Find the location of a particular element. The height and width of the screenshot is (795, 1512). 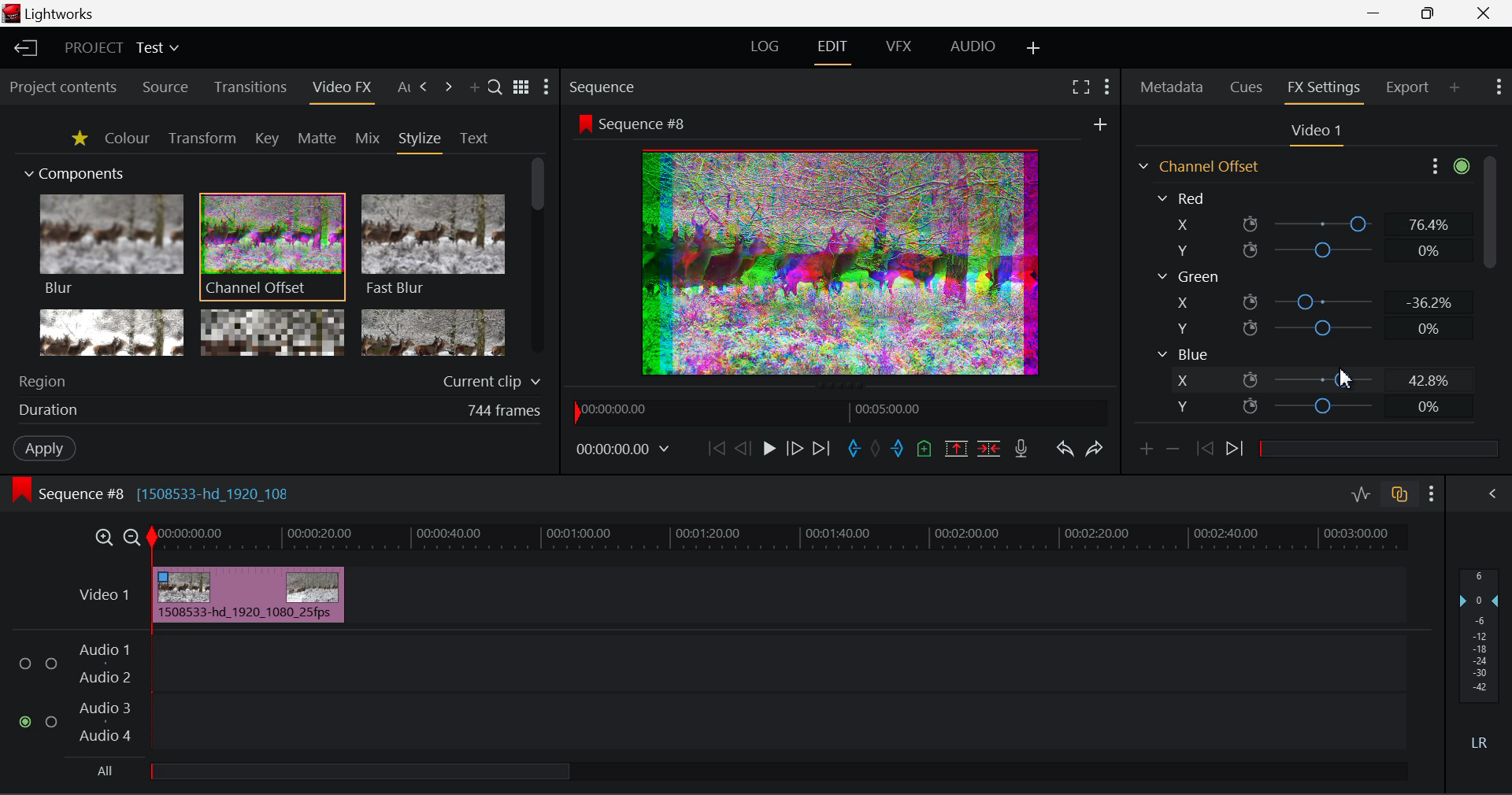

Green X is located at coordinates (1310, 301).